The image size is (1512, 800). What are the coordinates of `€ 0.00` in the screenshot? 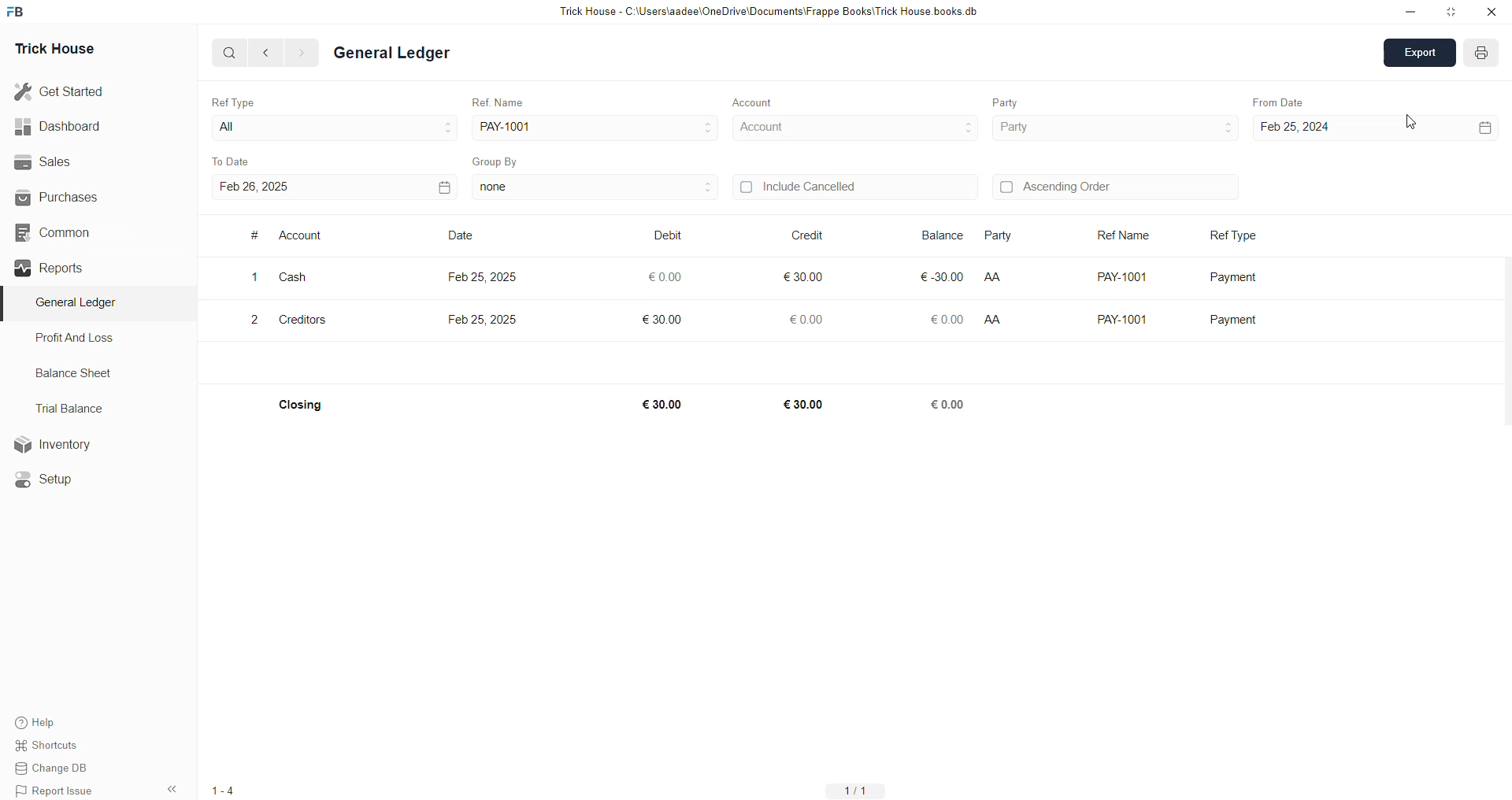 It's located at (949, 318).